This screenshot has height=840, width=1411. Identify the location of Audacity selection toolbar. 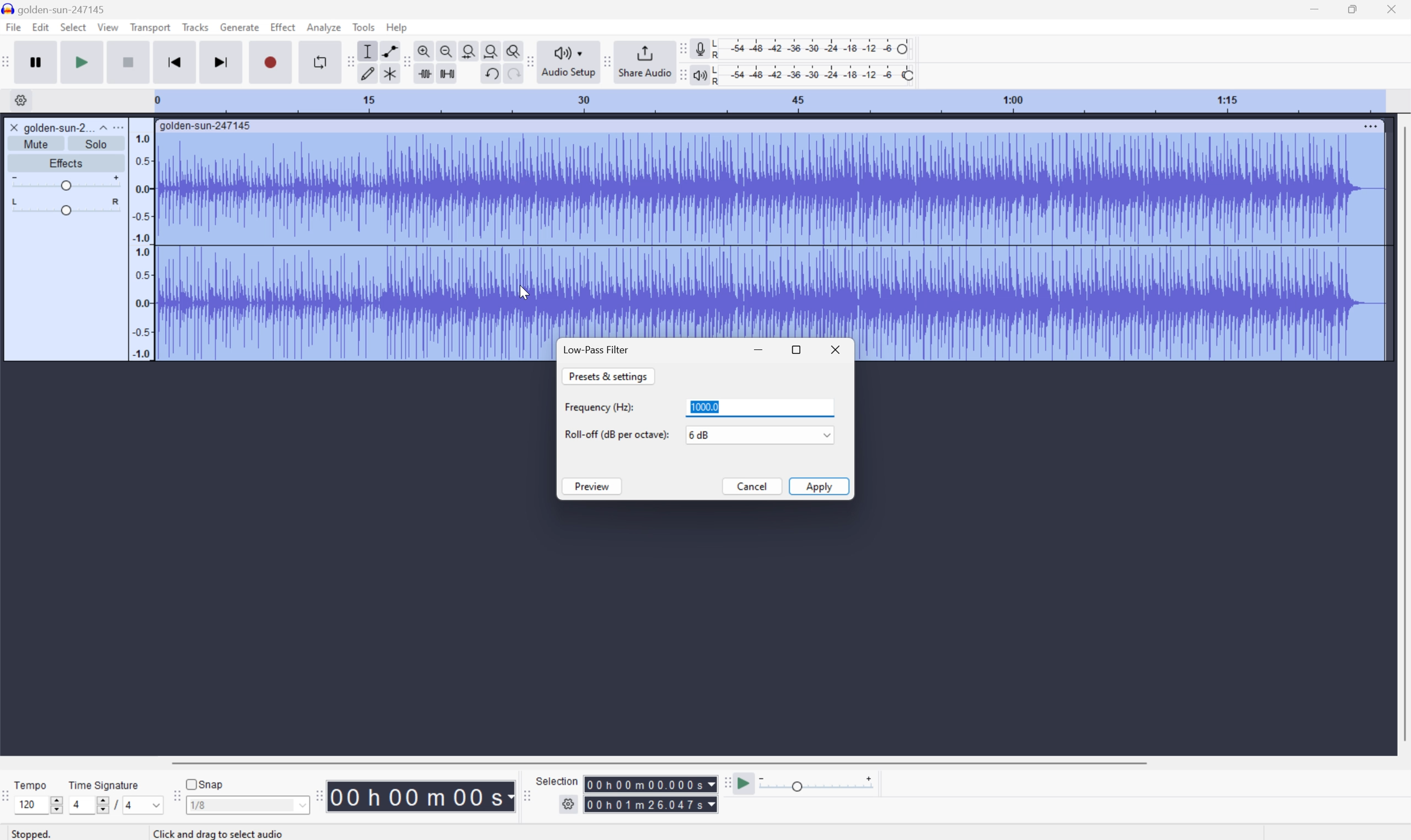
(525, 794).